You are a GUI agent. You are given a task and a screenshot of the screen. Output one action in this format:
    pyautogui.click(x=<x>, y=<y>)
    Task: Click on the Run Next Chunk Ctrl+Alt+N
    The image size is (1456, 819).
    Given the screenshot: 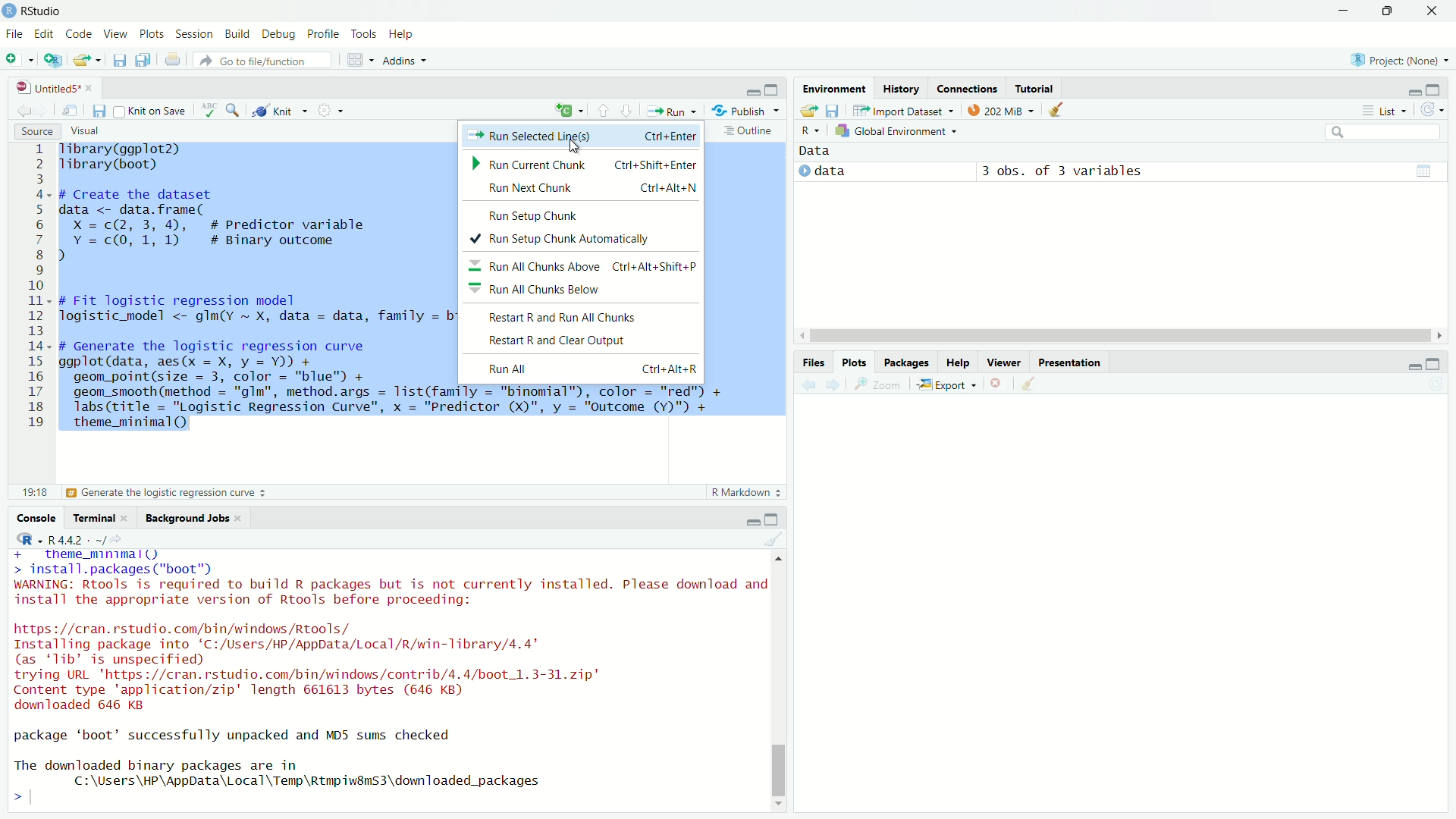 What is the action you would take?
    pyautogui.click(x=582, y=189)
    